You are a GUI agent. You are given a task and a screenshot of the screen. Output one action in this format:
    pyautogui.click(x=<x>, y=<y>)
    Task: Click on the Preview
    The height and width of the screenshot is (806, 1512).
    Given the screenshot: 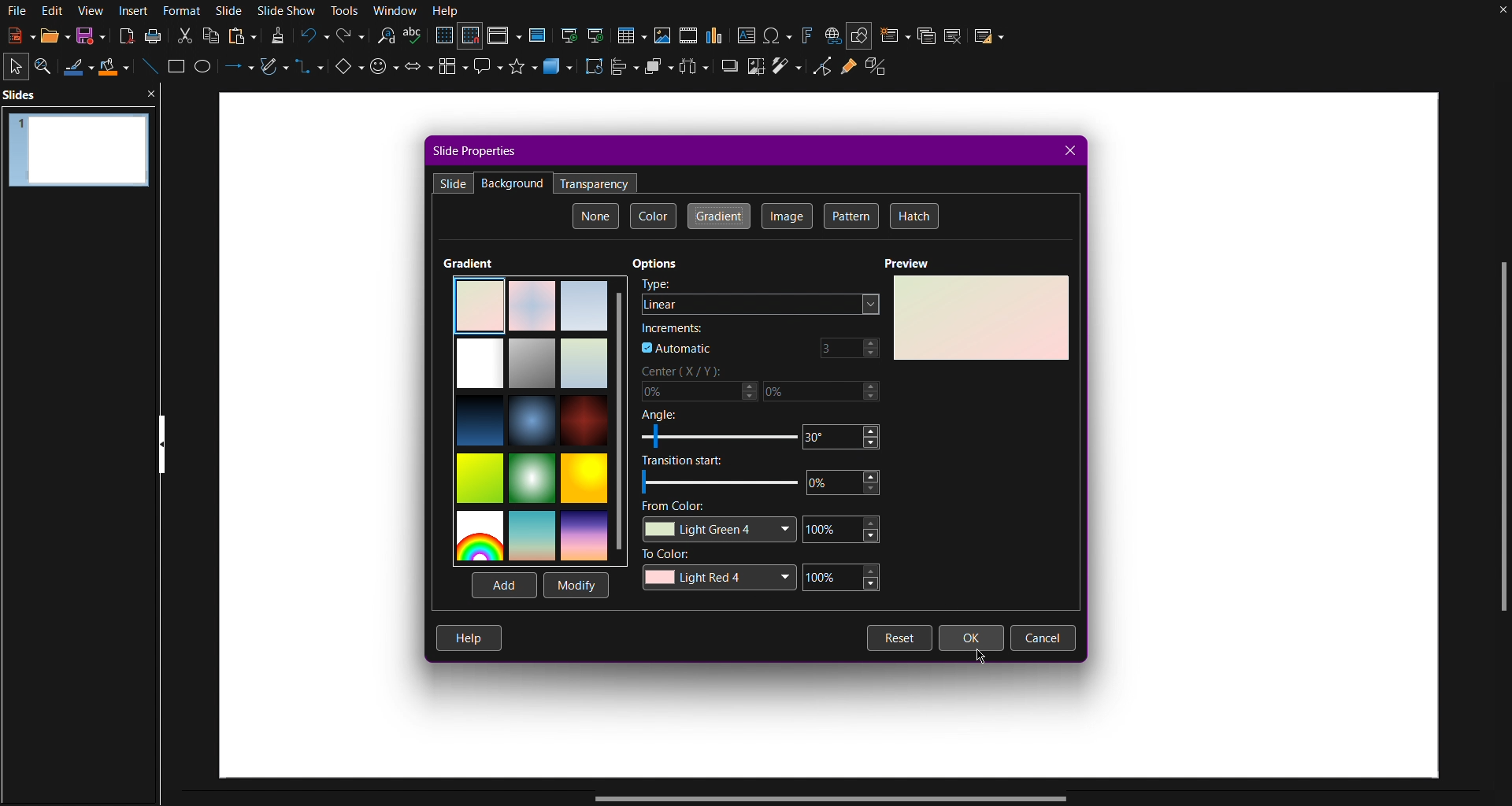 What is the action you would take?
    pyautogui.click(x=909, y=263)
    